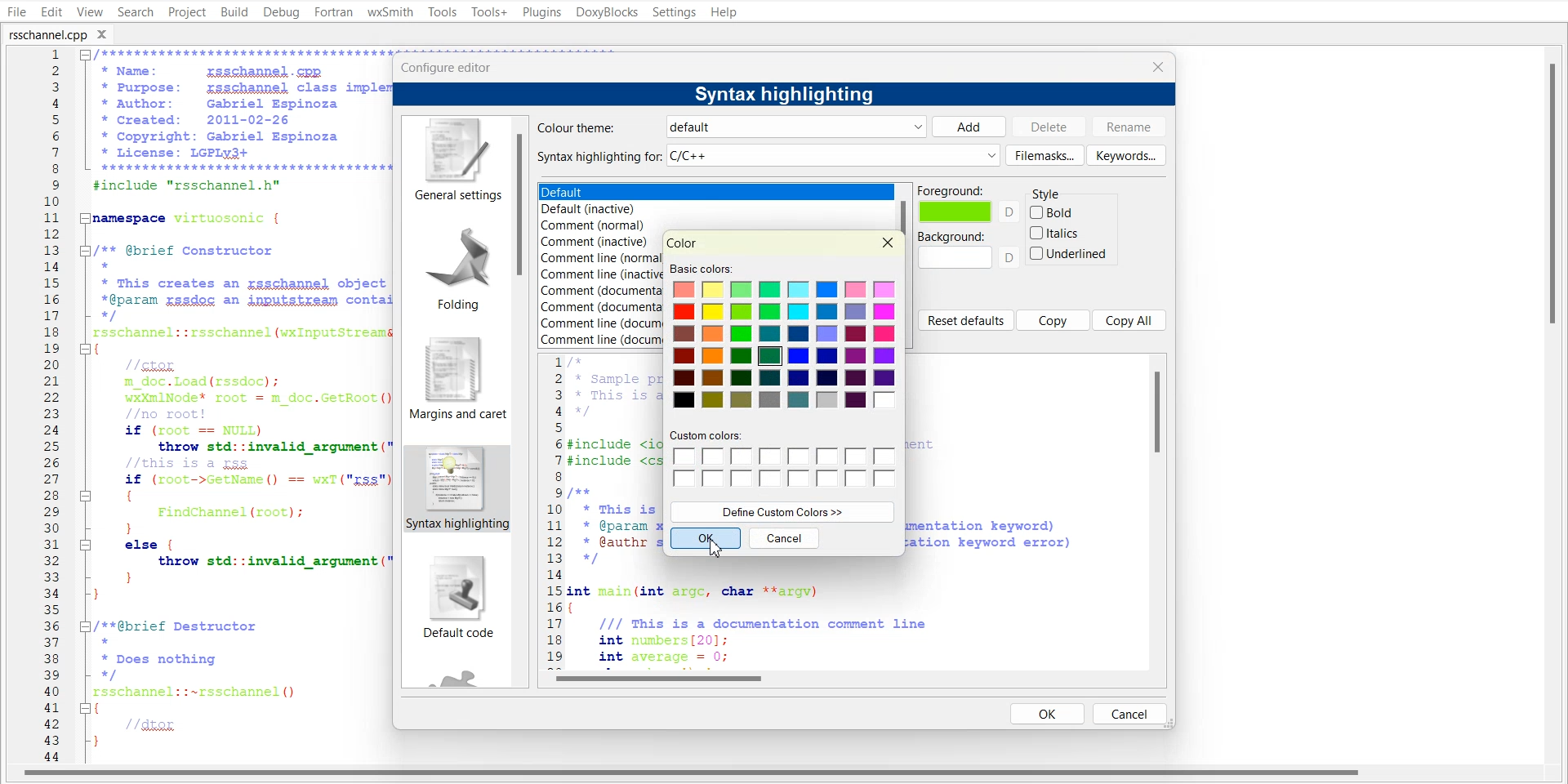 This screenshot has height=784, width=1568. What do you see at coordinates (853, 678) in the screenshot?
I see `Horizontal scroll bar` at bounding box center [853, 678].